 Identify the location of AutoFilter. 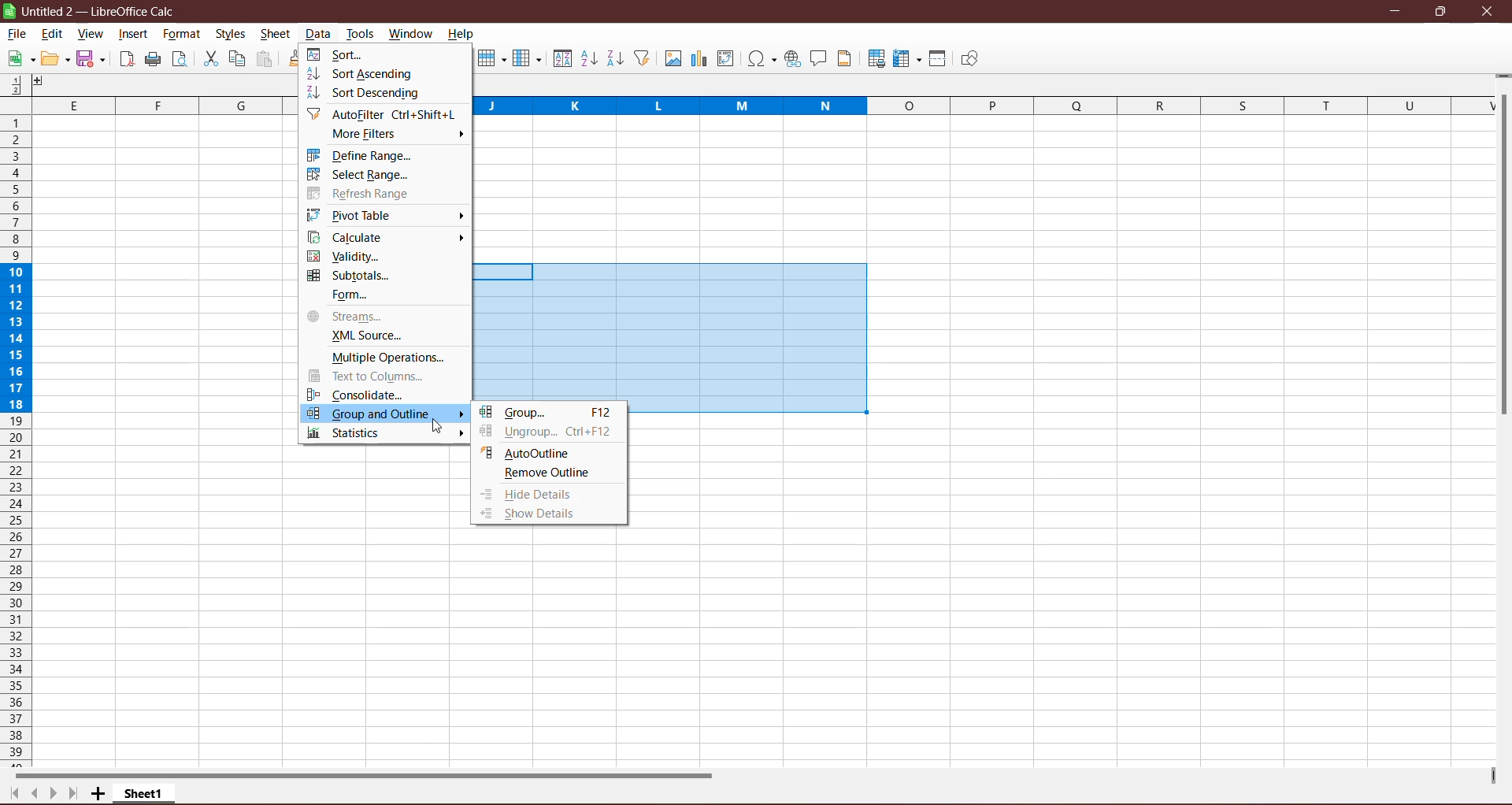
(386, 114).